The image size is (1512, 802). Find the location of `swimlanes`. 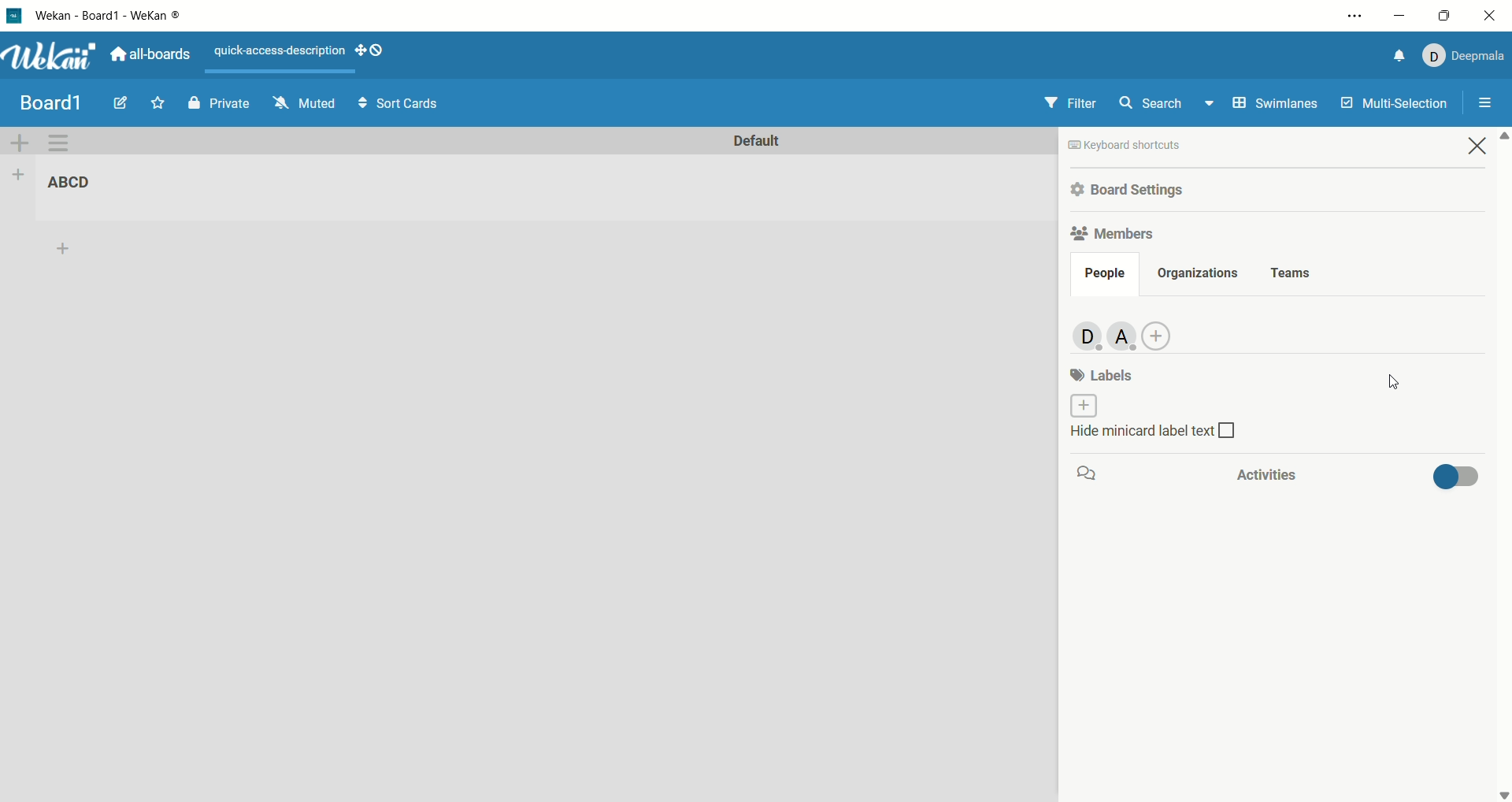

swimlanes is located at coordinates (1277, 105).